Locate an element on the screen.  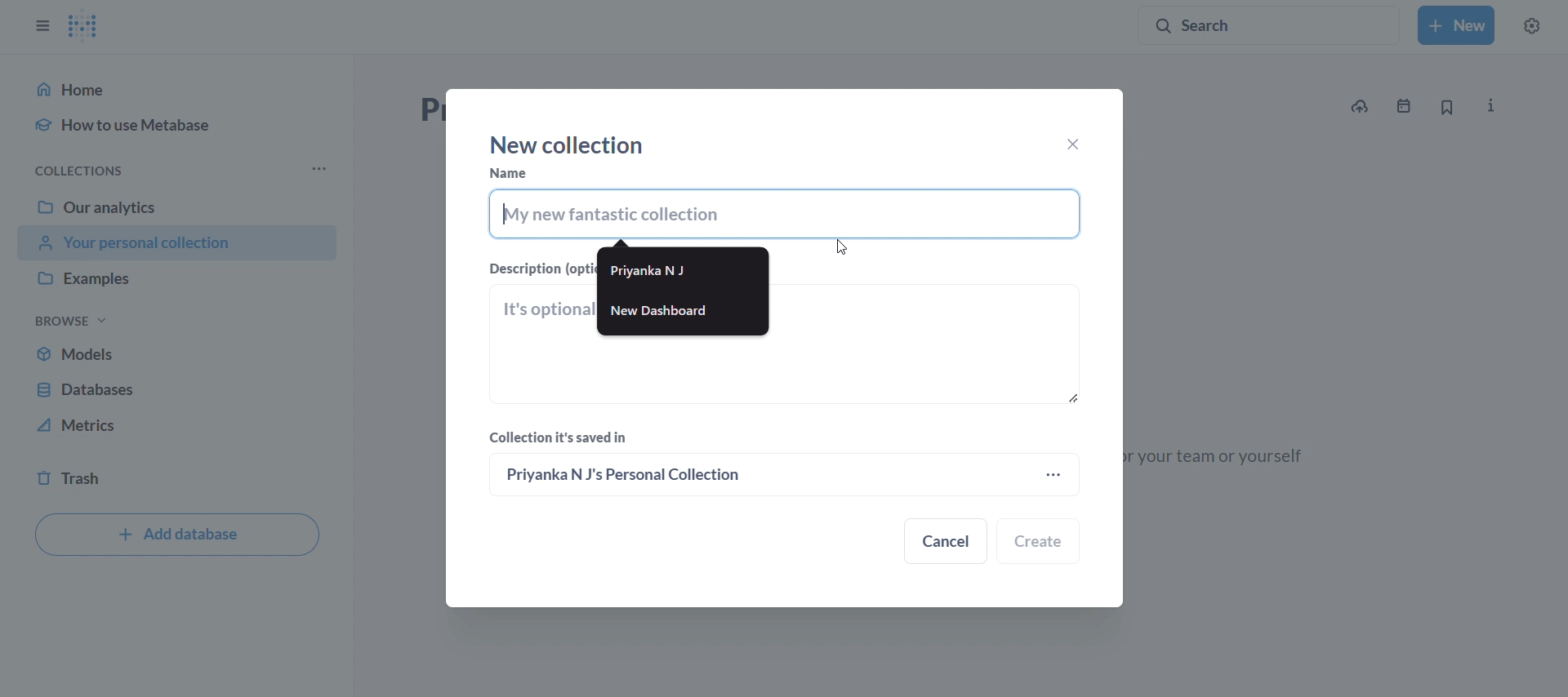
more is located at coordinates (1056, 473).